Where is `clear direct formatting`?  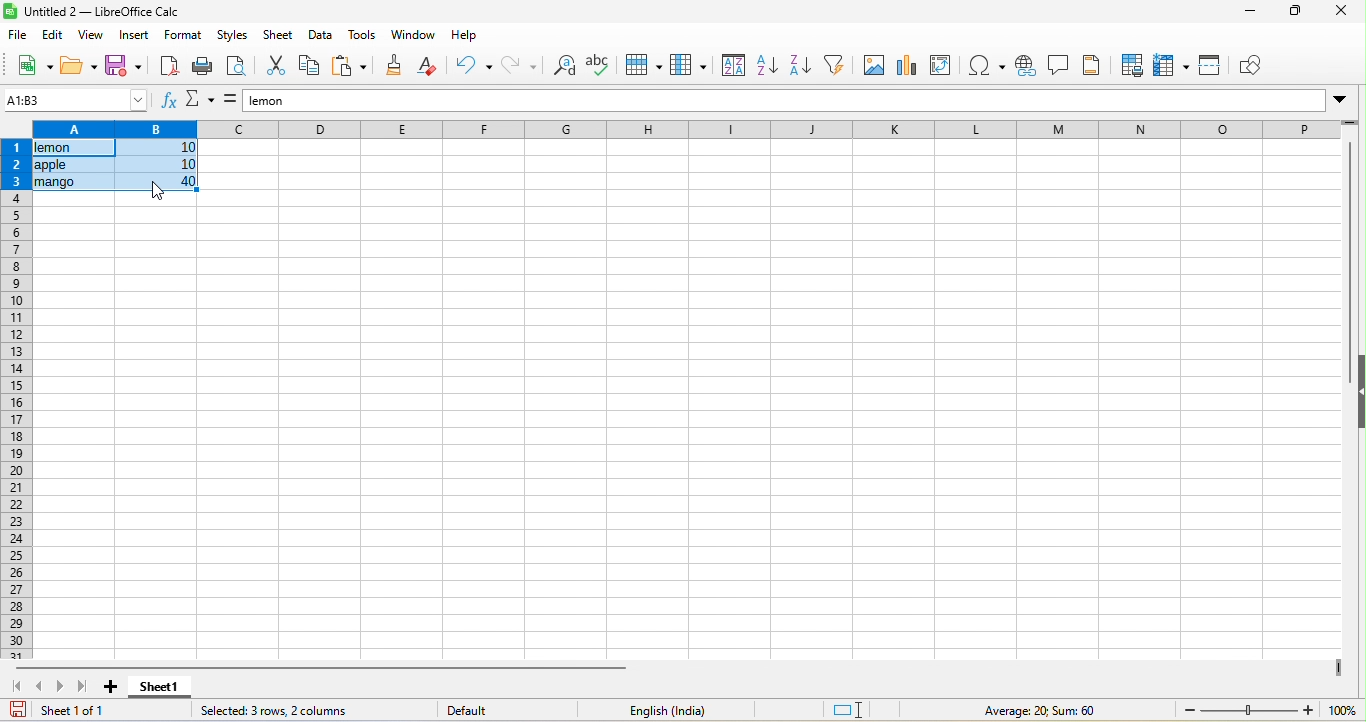
clear direct formatting is located at coordinates (428, 68).